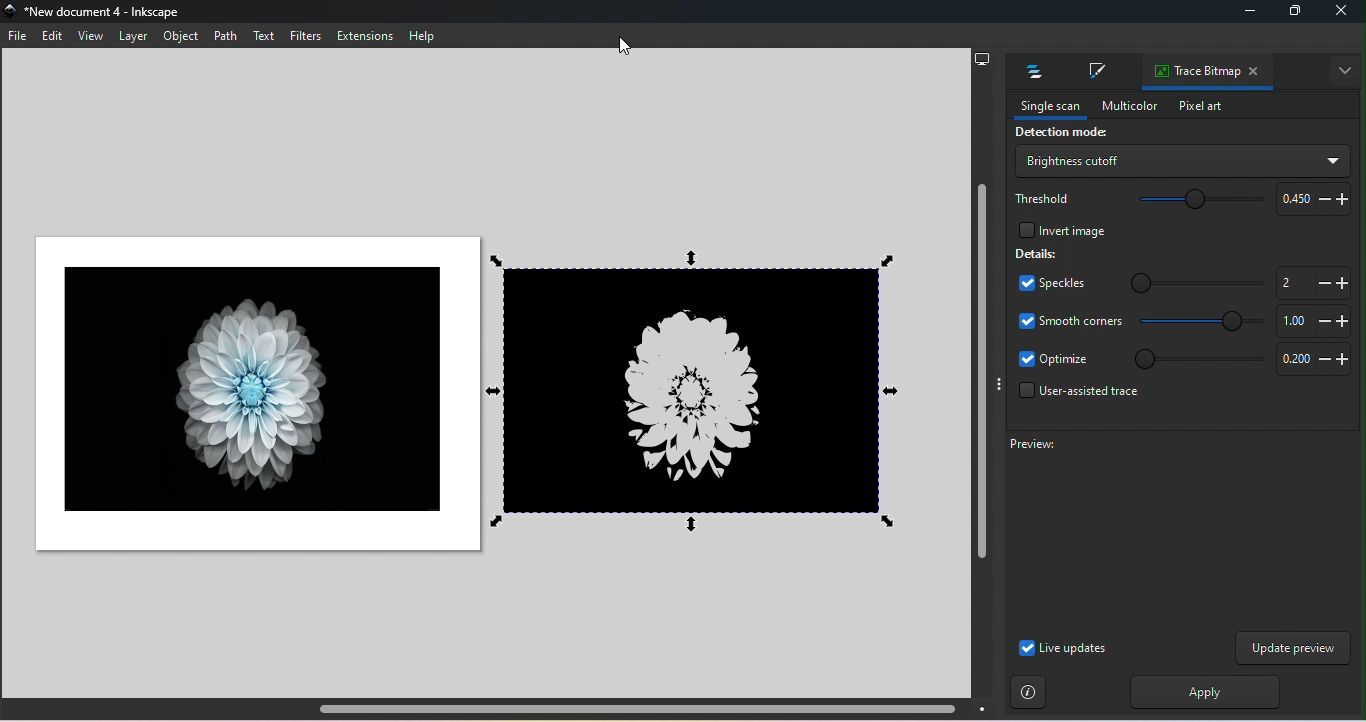 This screenshot has width=1366, height=722. I want to click on Minimize, so click(1246, 14).